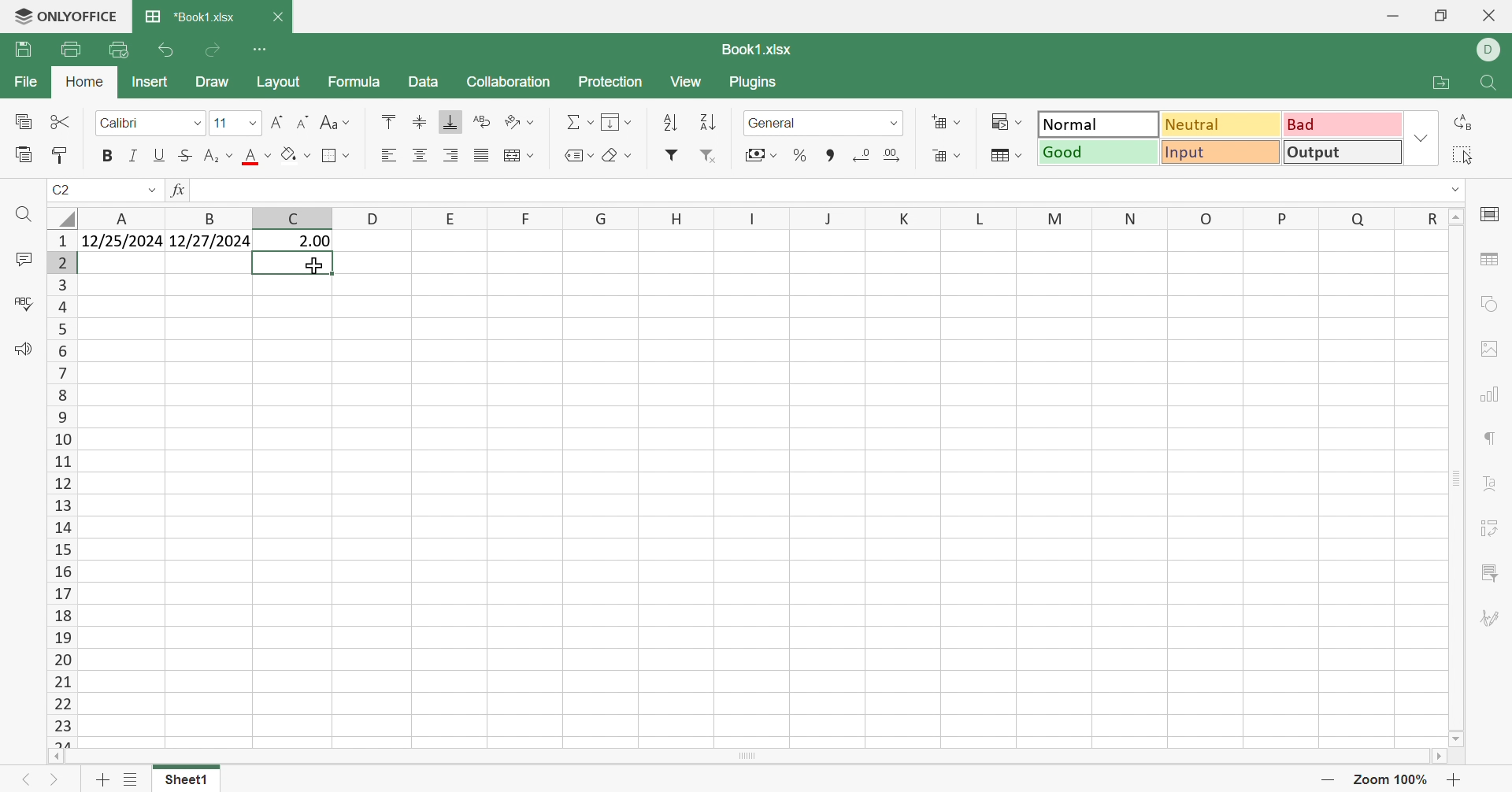 Image resolution: width=1512 pixels, height=792 pixels. I want to click on List of Sheet, so click(130, 780).